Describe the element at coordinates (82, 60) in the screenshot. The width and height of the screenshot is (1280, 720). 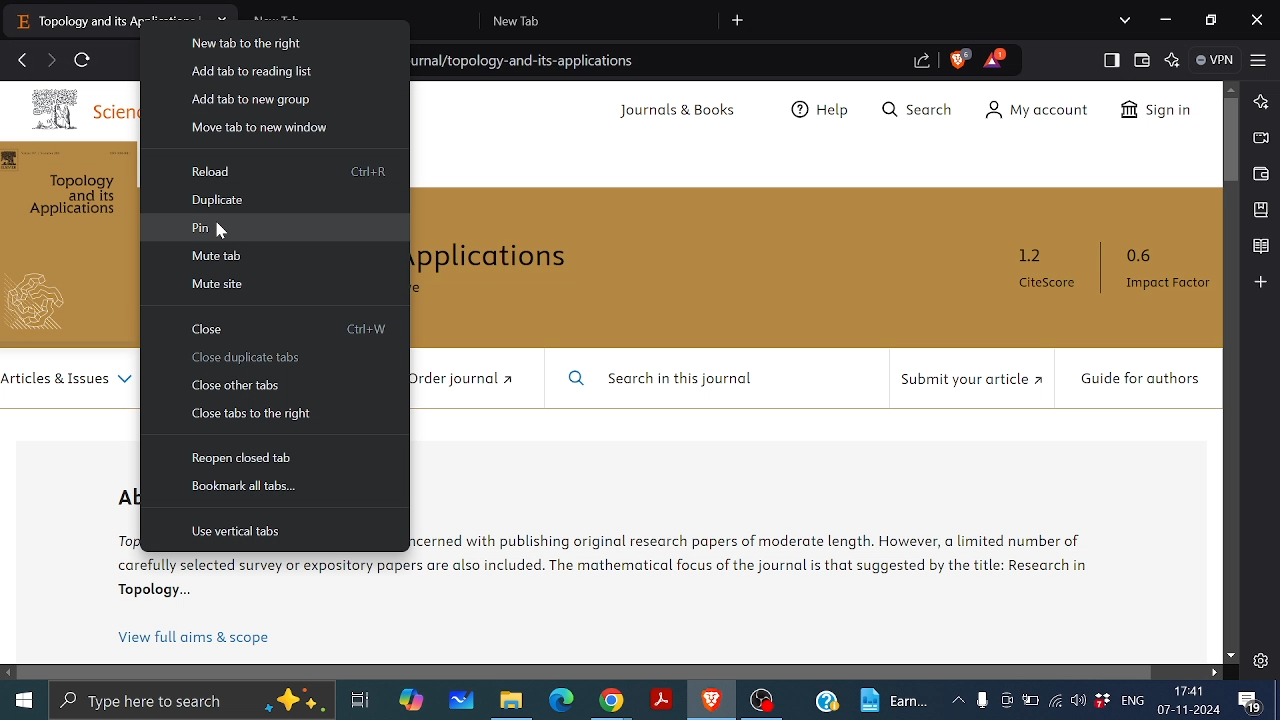
I see `refresh` at that location.